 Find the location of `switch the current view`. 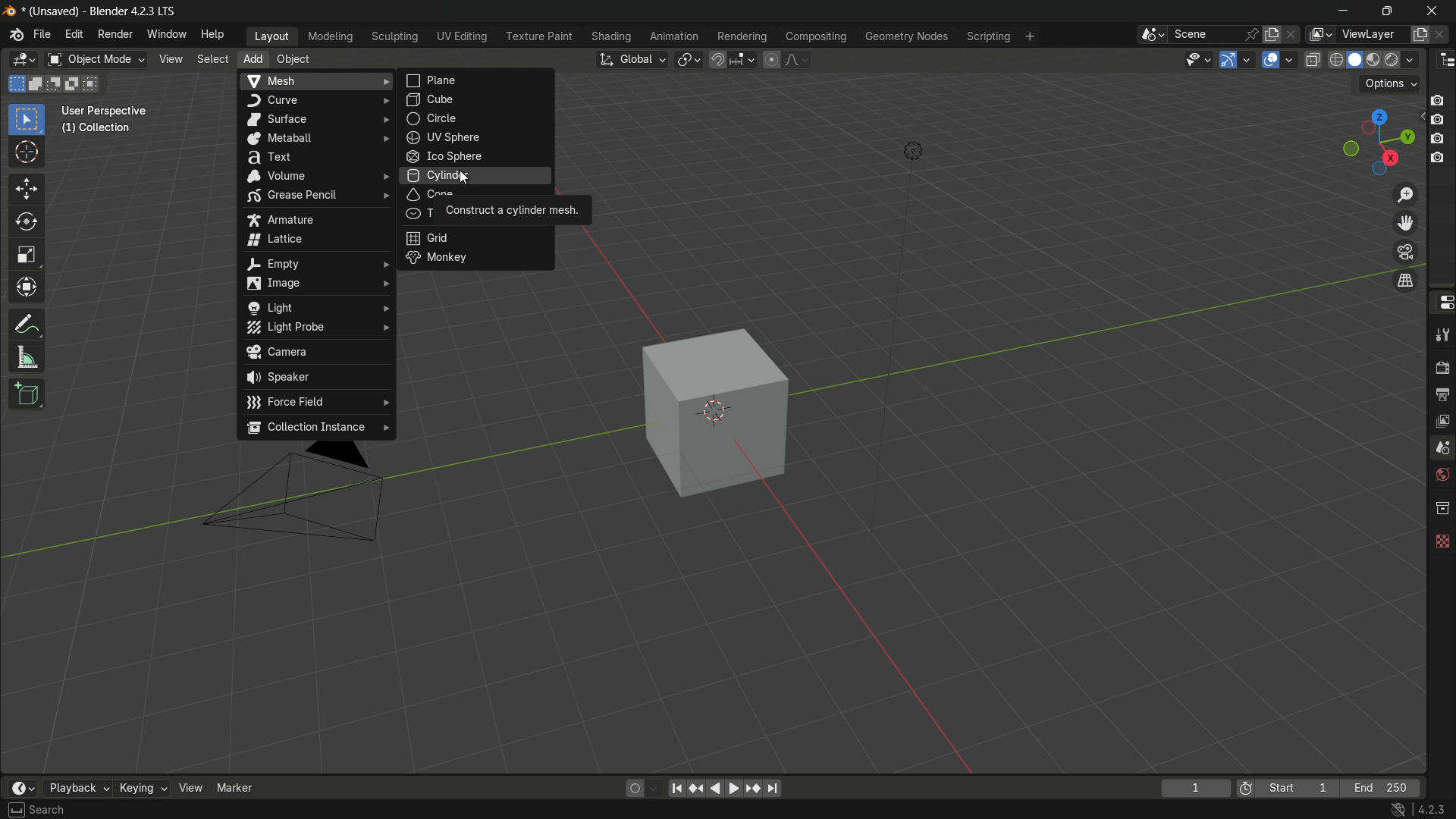

switch the current view is located at coordinates (1405, 283).